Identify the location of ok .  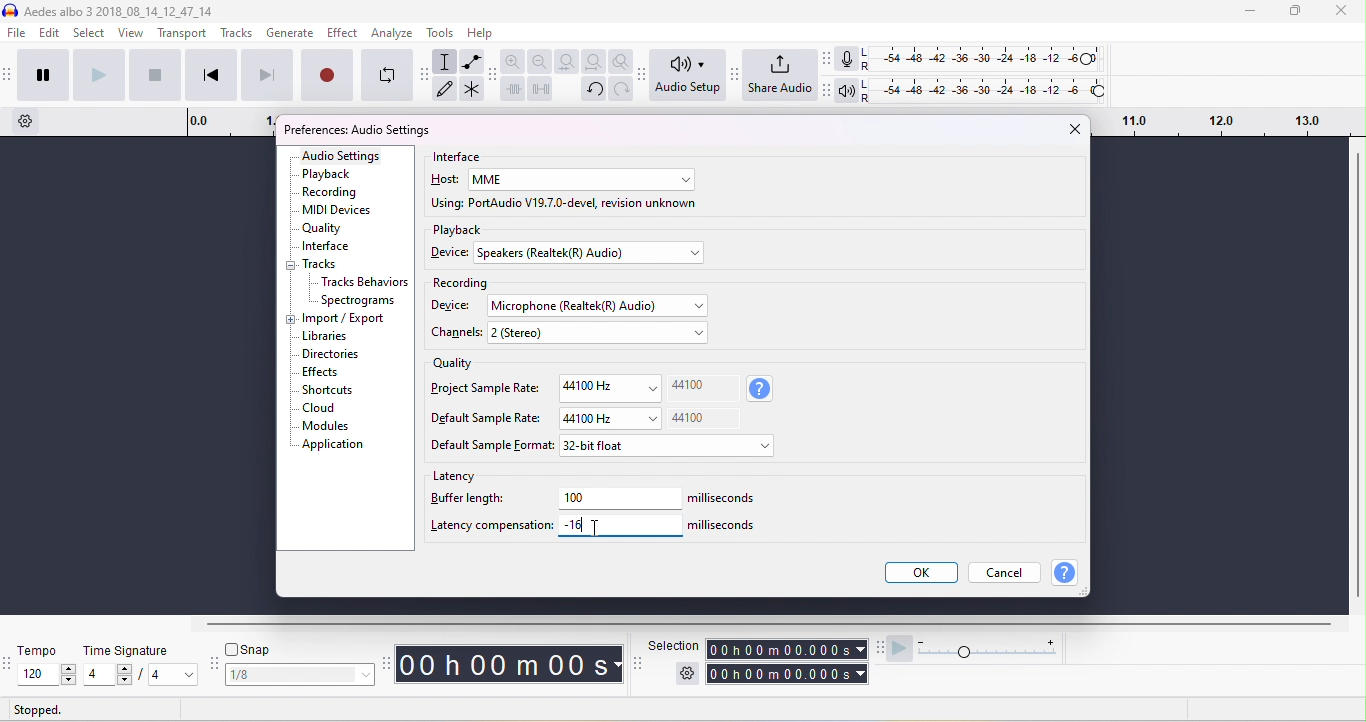
(919, 572).